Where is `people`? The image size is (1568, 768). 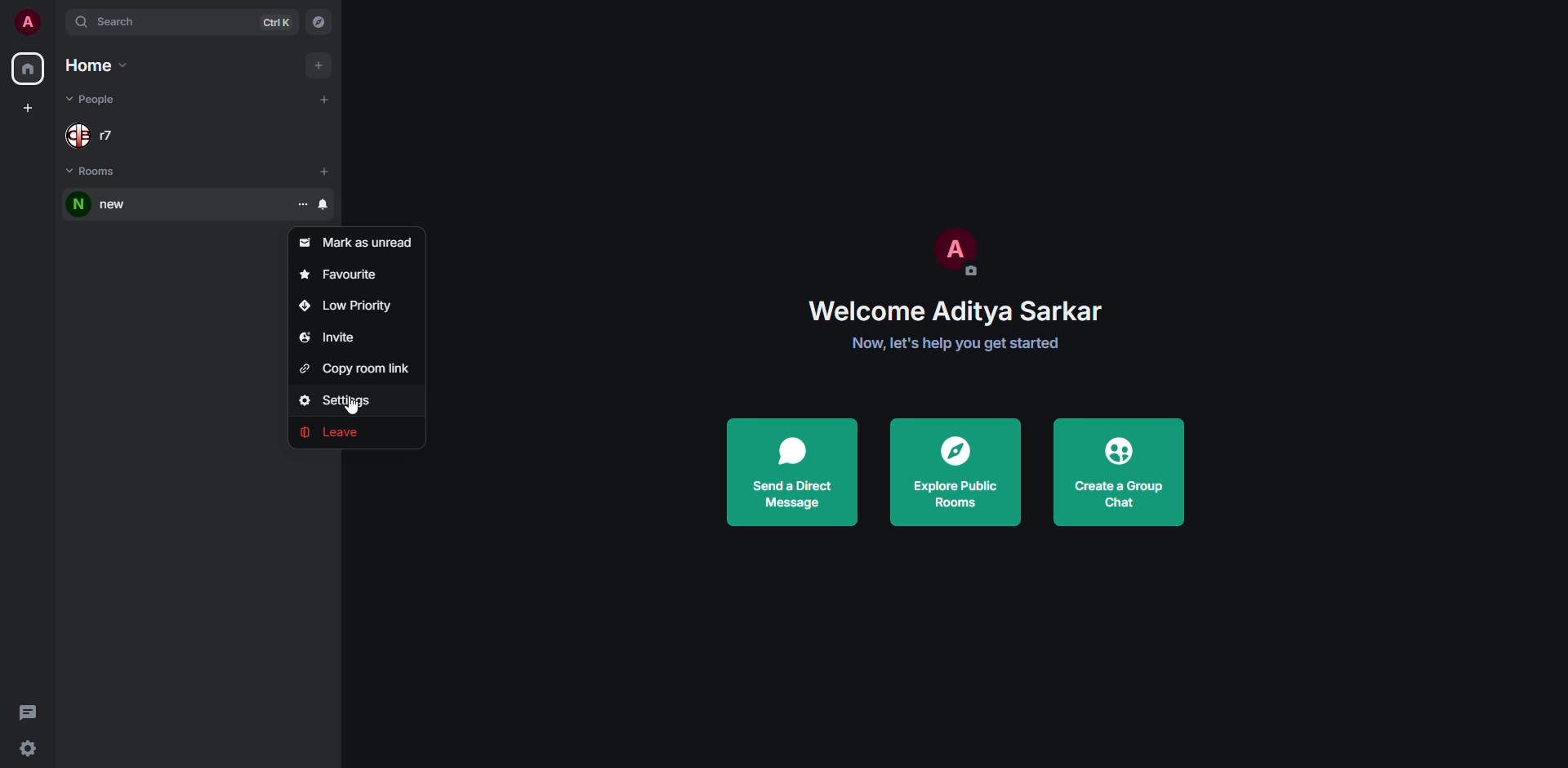 people is located at coordinates (91, 100).